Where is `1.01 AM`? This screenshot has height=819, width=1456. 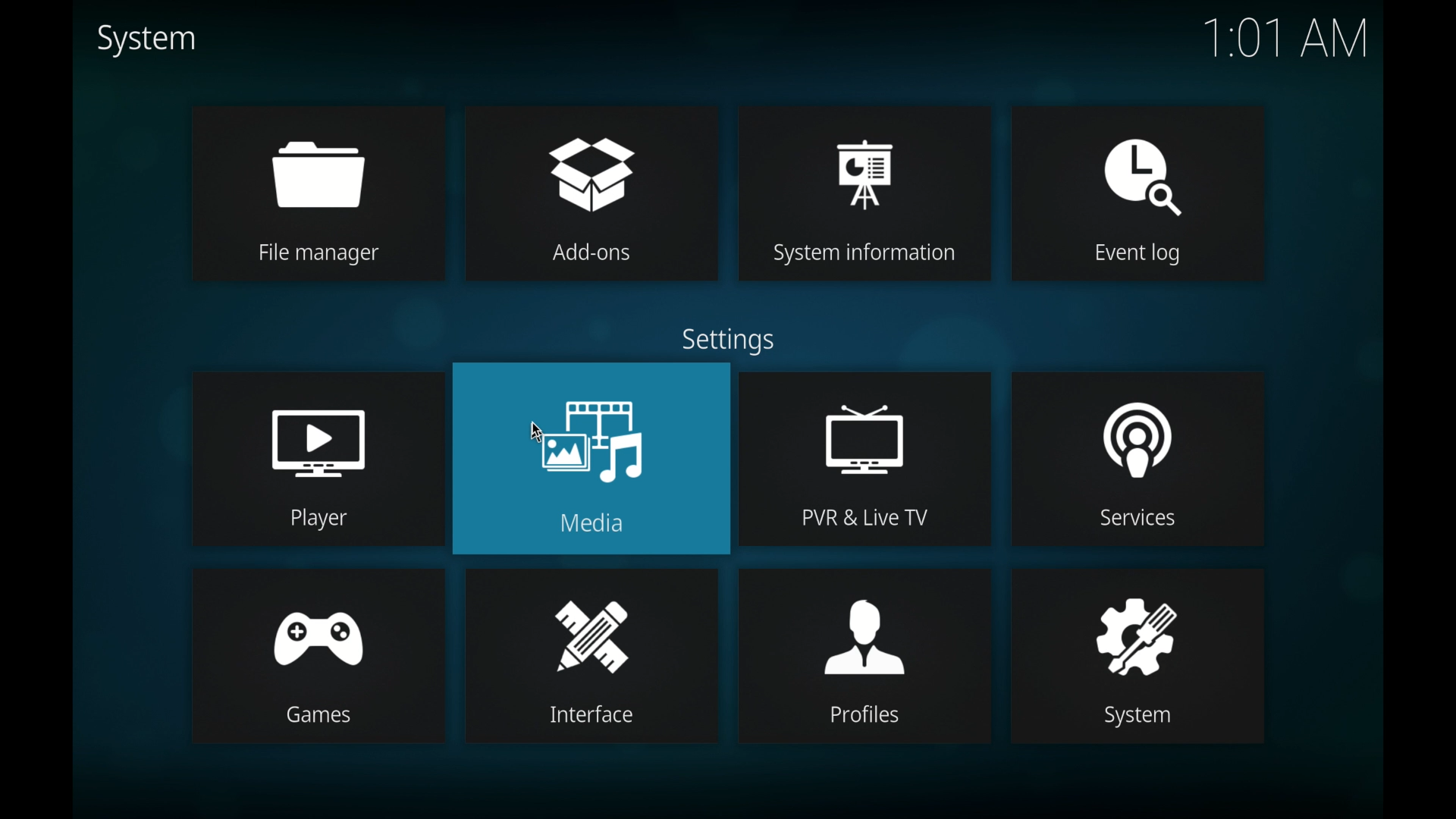 1.01 AM is located at coordinates (1285, 42).